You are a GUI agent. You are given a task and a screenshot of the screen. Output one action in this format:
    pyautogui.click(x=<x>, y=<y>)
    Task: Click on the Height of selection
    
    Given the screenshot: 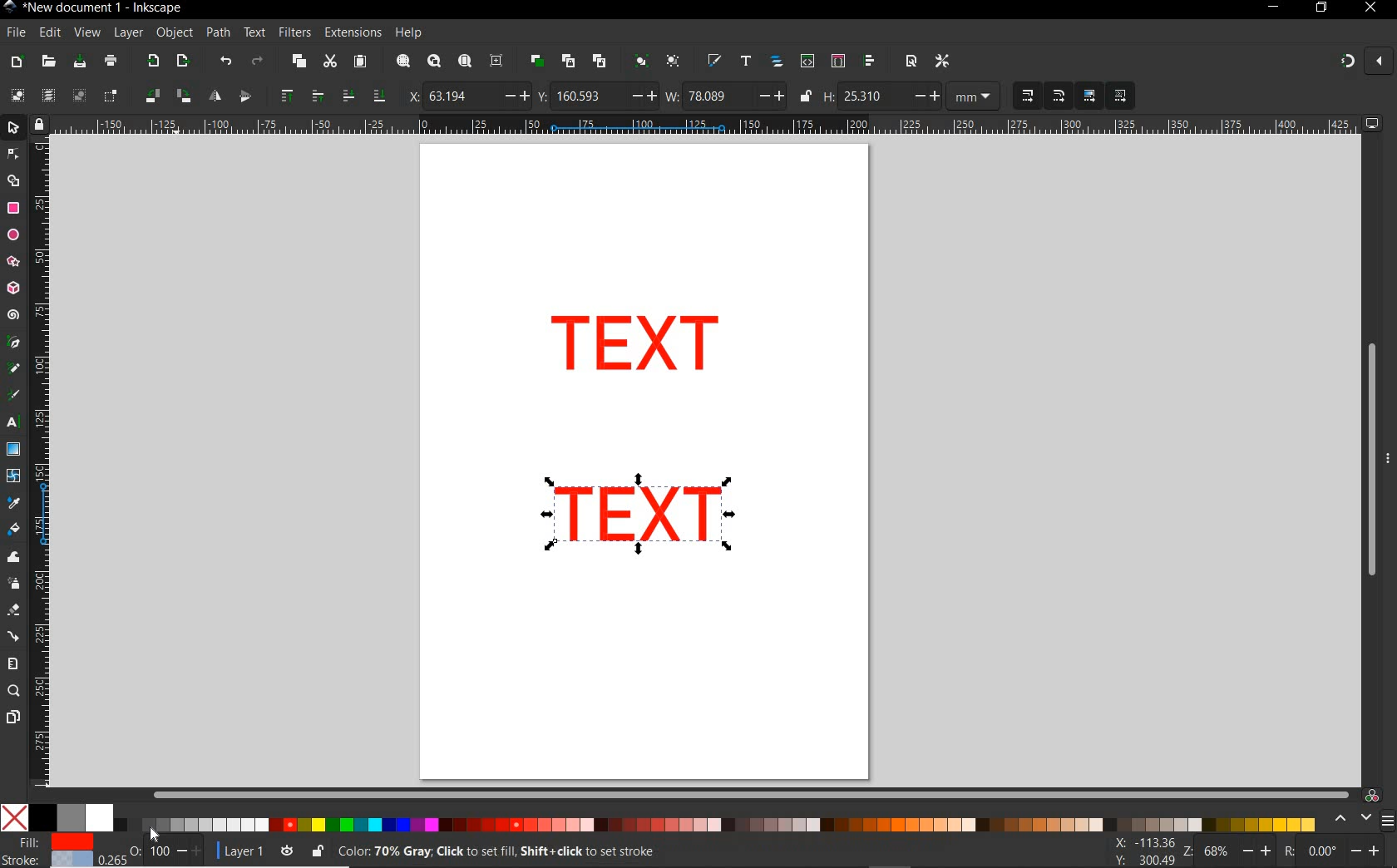 What is the action you would take?
    pyautogui.click(x=881, y=96)
    